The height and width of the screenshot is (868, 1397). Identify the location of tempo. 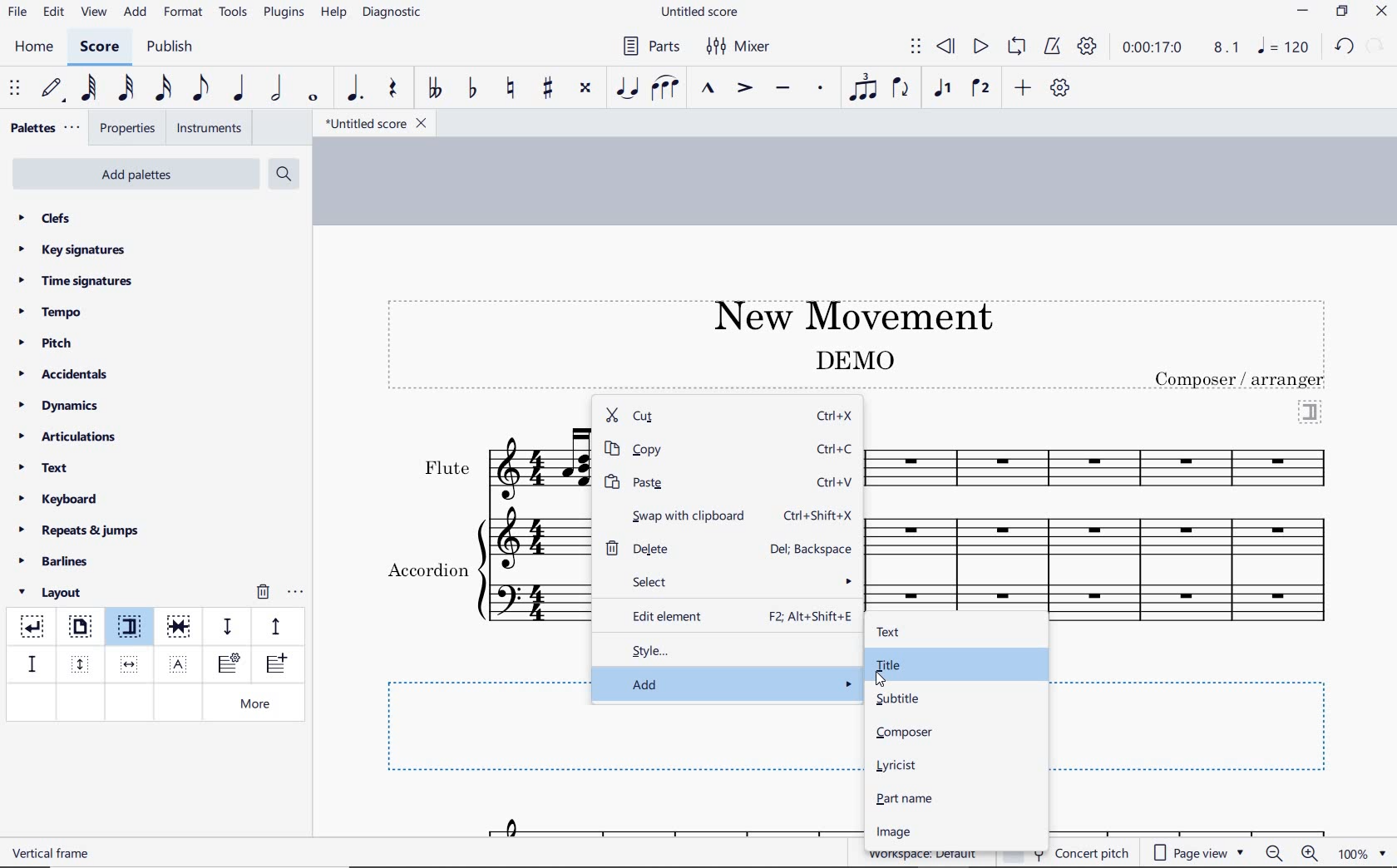
(55, 311).